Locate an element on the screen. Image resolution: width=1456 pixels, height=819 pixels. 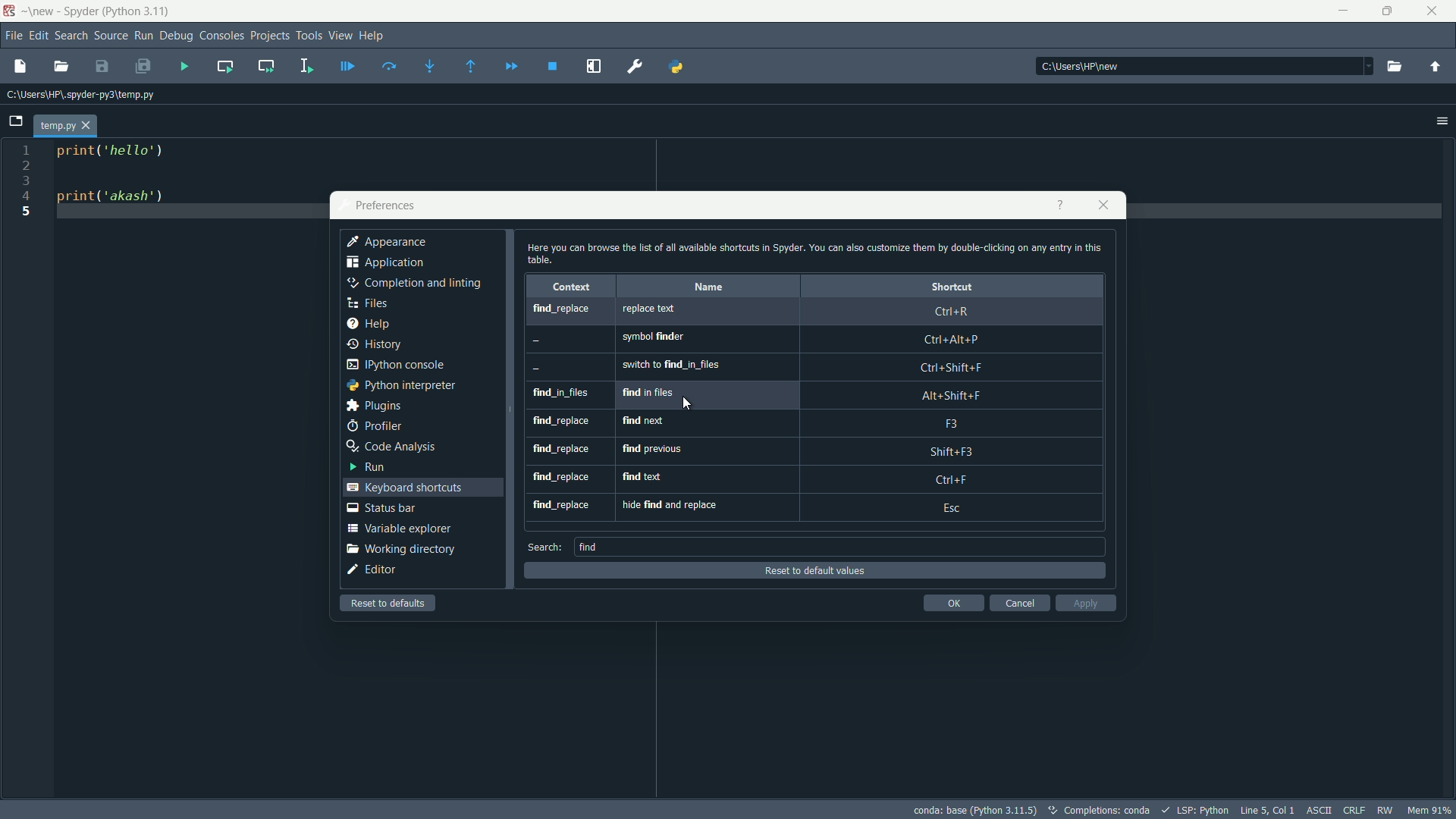
~\new -  Spyder (Python 3.11) is located at coordinates (96, 11).